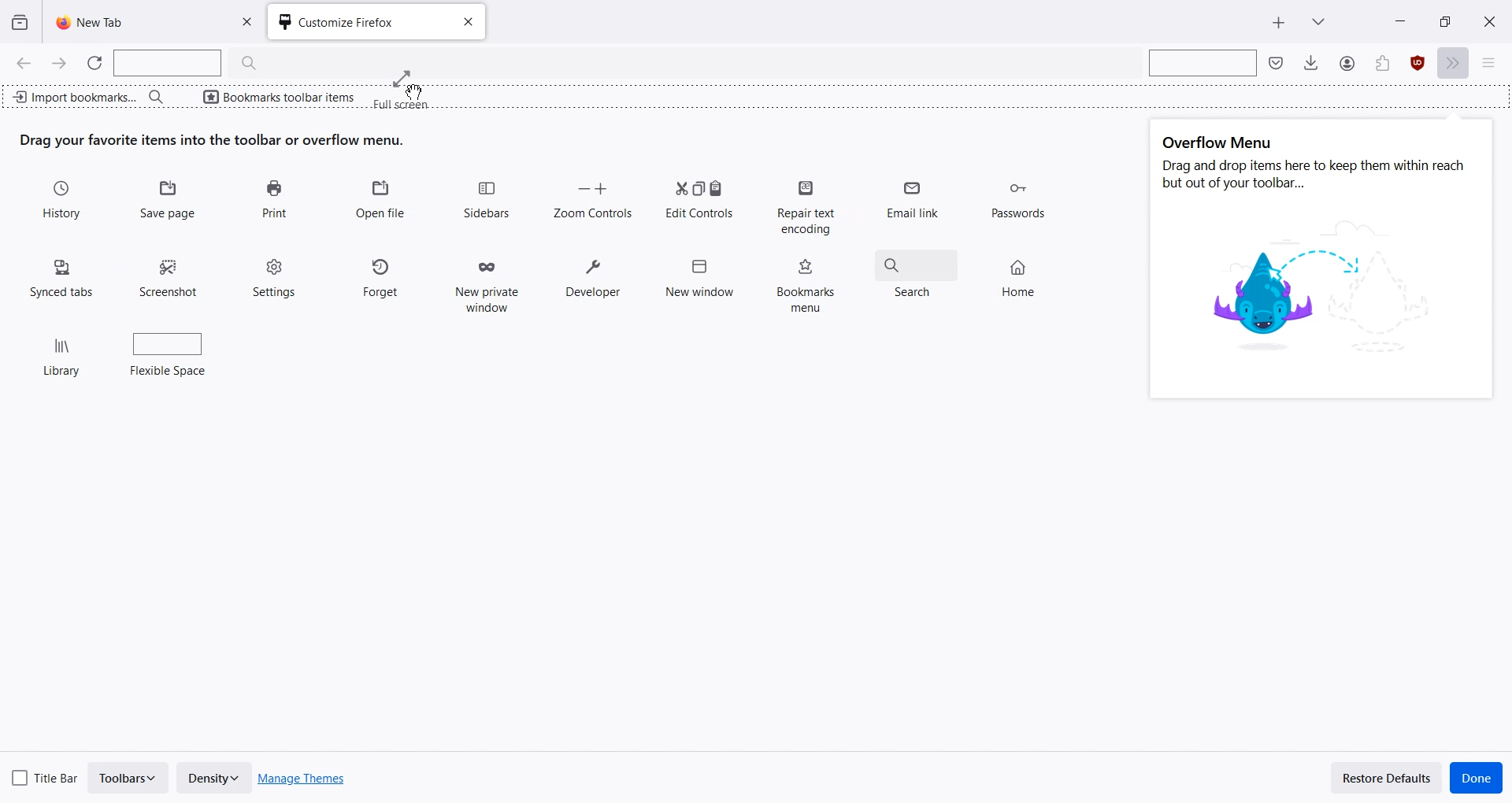 The image size is (1512, 803). I want to click on Done, so click(1477, 778).